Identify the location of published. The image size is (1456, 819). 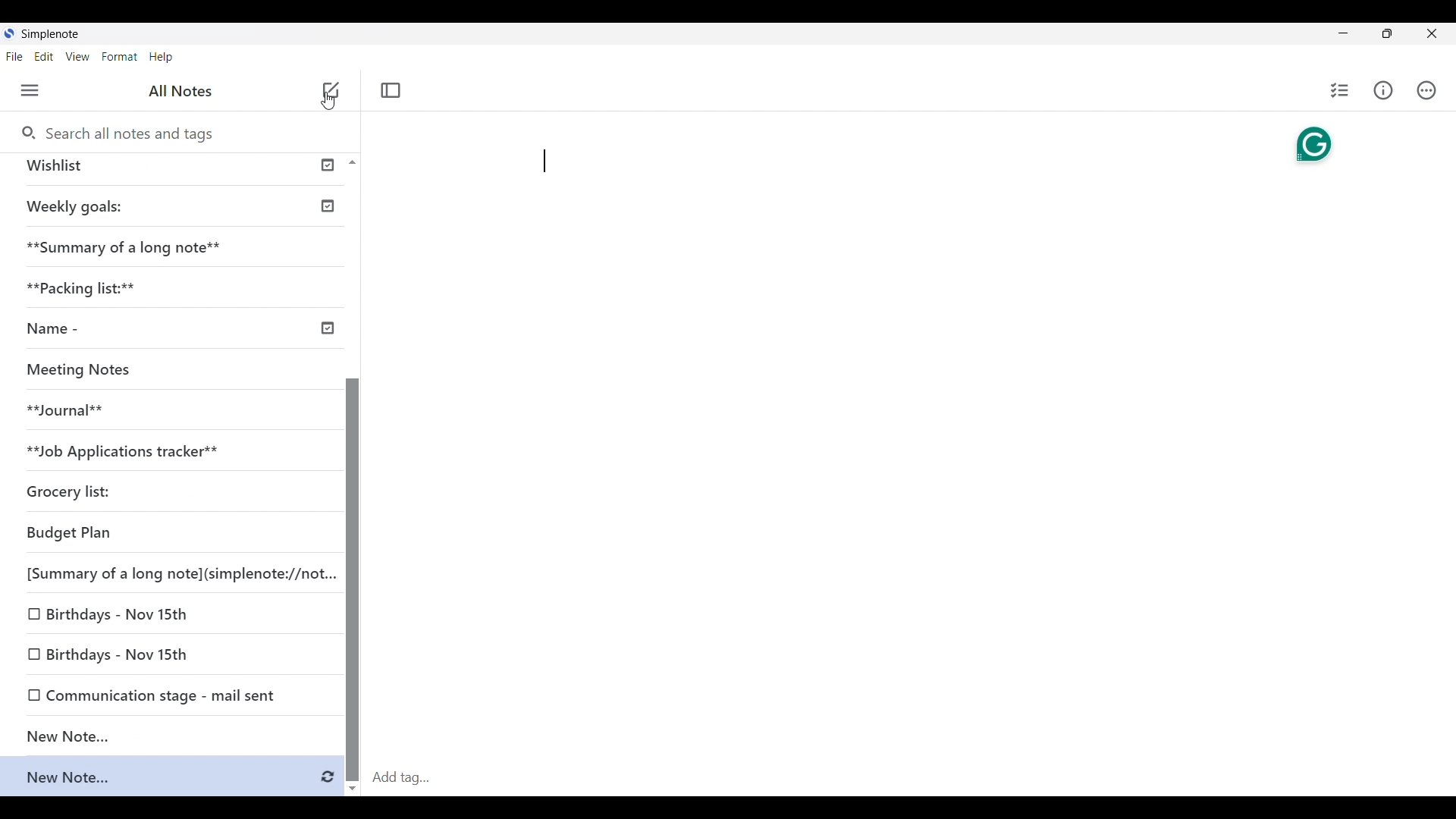
(328, 326).